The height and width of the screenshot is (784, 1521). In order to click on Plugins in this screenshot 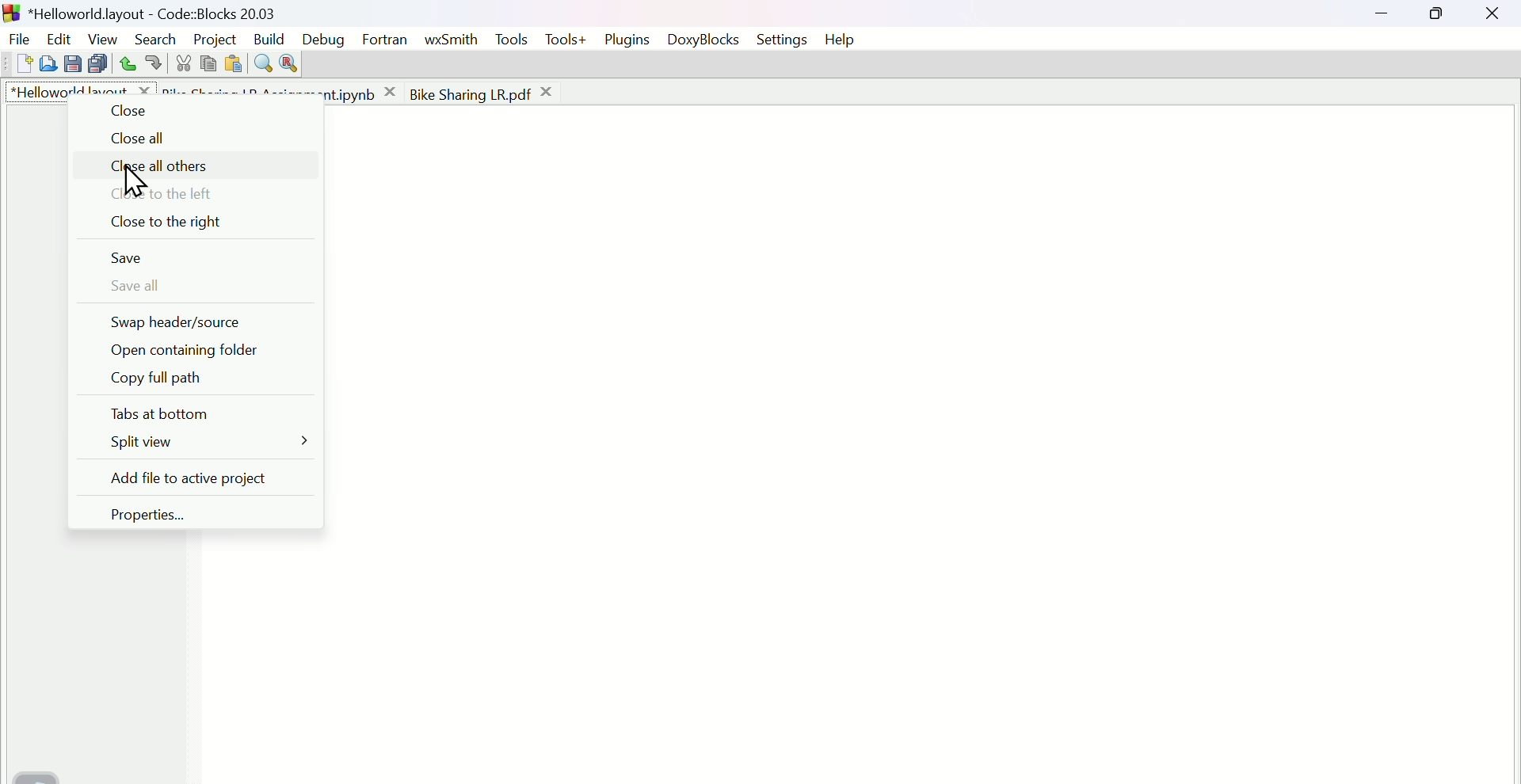, I will do `click(632, 39)`.